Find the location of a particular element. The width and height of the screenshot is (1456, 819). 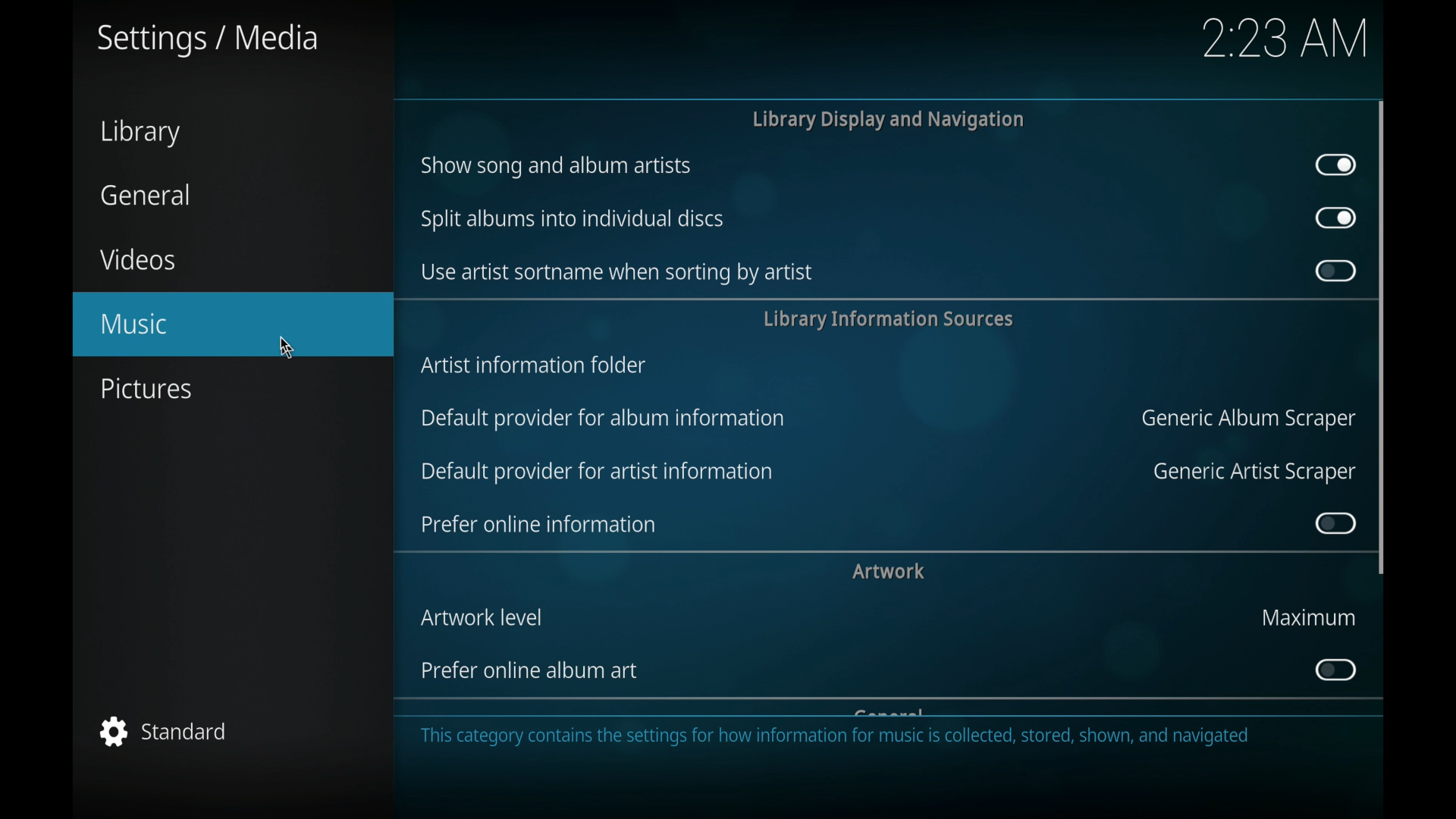

pictures is located at coordinates (149, 389).